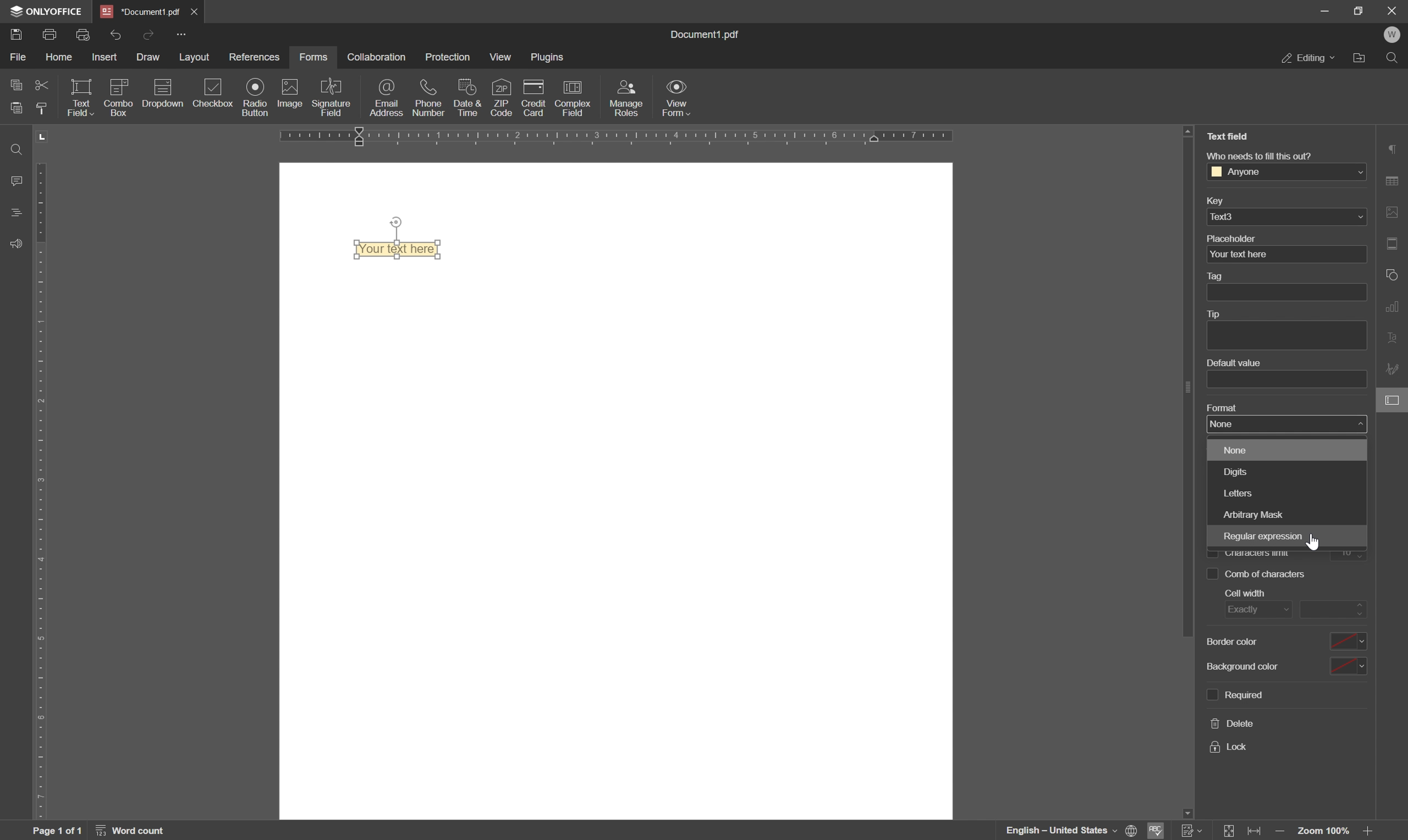 This screenshot has height=840, width=1408. What do you see at coordinates (1395, 308) in the screenshot?
I see `chart settings` at bounding box center [1395, 308].